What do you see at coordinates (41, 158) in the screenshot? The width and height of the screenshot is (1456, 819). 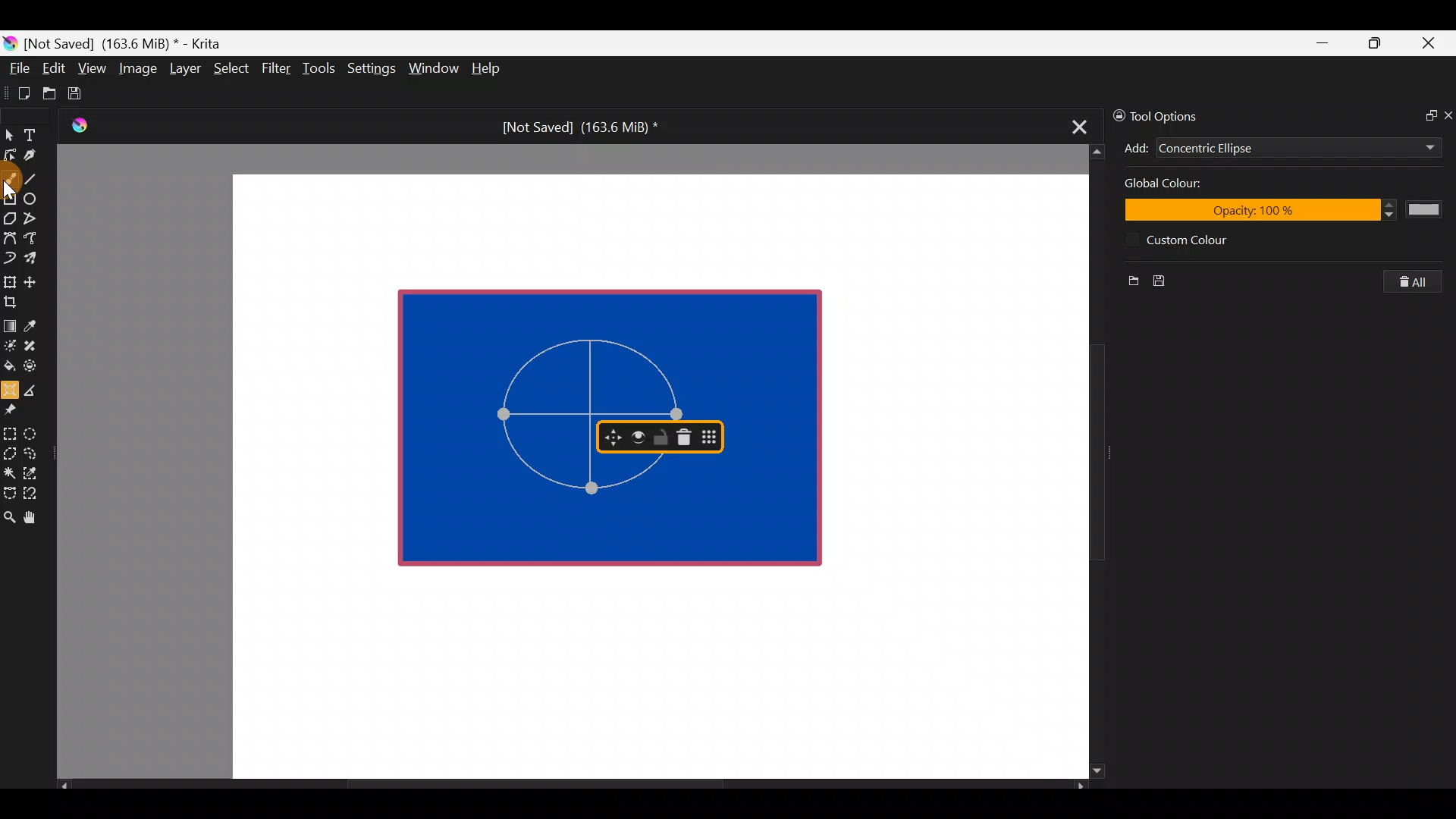 I see `Calligraphy` at bounding box center [41, 158].